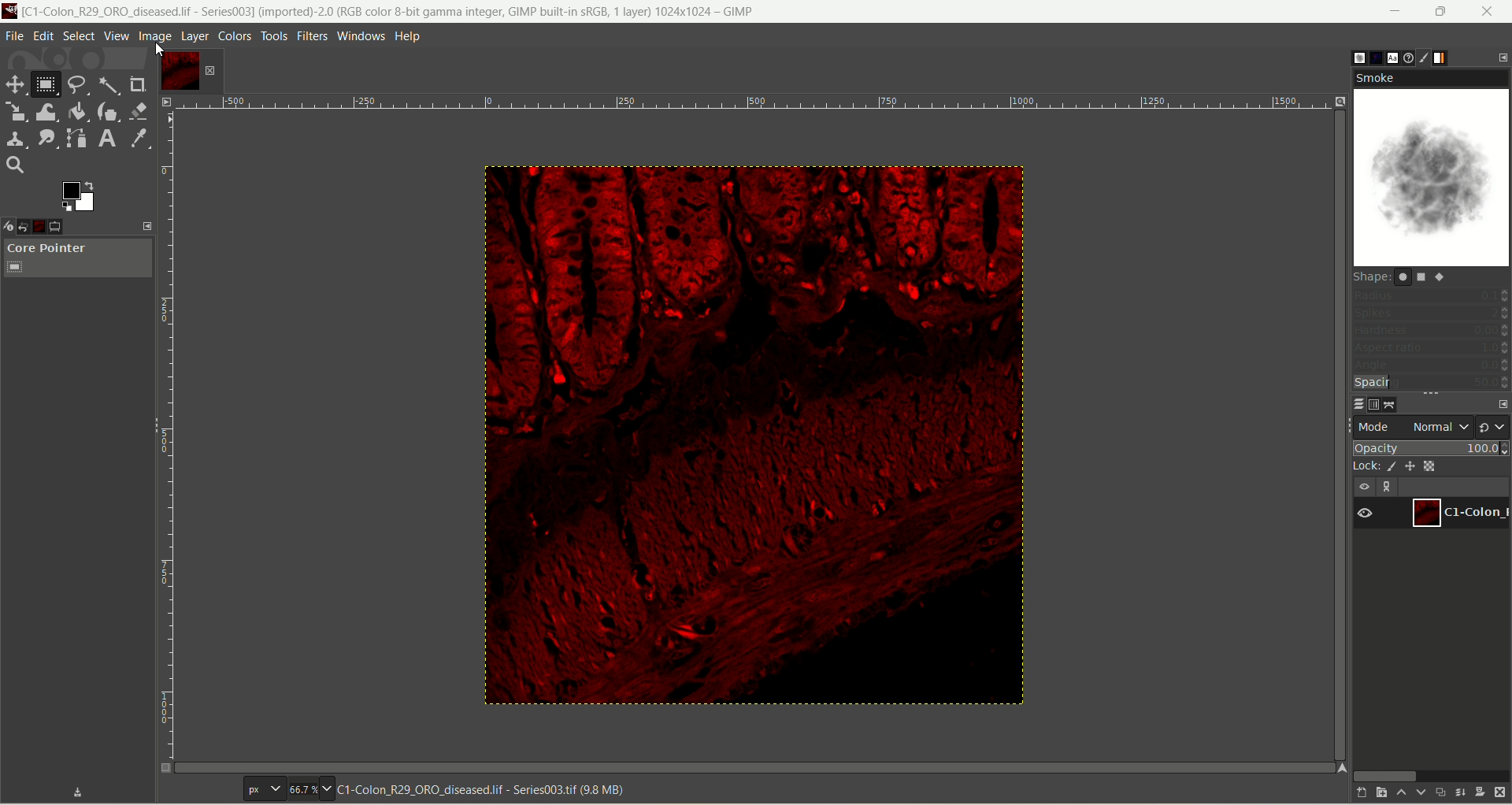 The height and width of the screenshot is (805, 1512). Describe the element at coordinates (1396, 10) in the screenshot. I see `minimize` at that location.